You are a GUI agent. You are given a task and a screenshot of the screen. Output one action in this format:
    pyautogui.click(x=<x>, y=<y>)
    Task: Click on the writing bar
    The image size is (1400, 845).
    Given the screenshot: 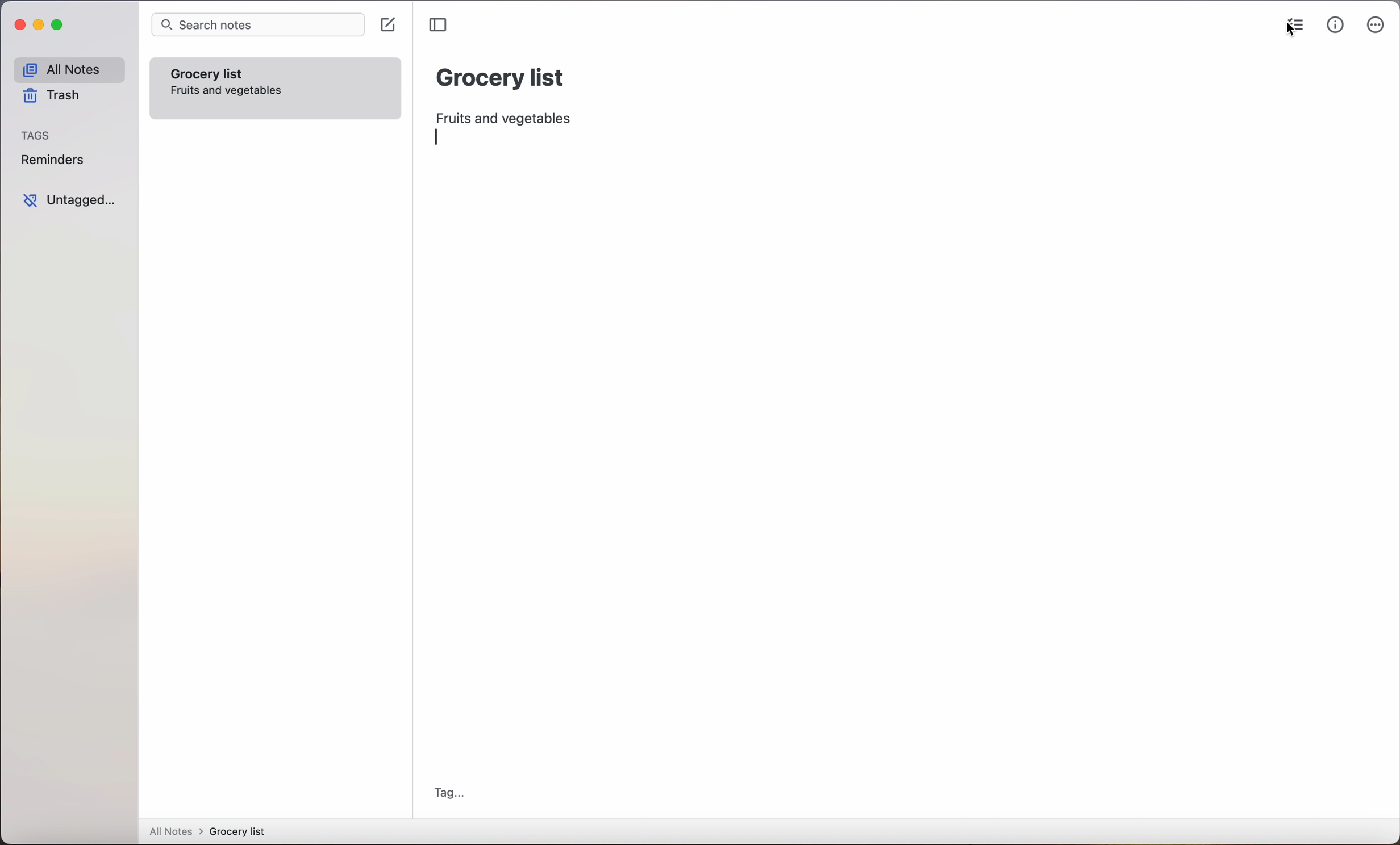 What is the action you would take?
    pyautogui.click(x=440, y=136)
    